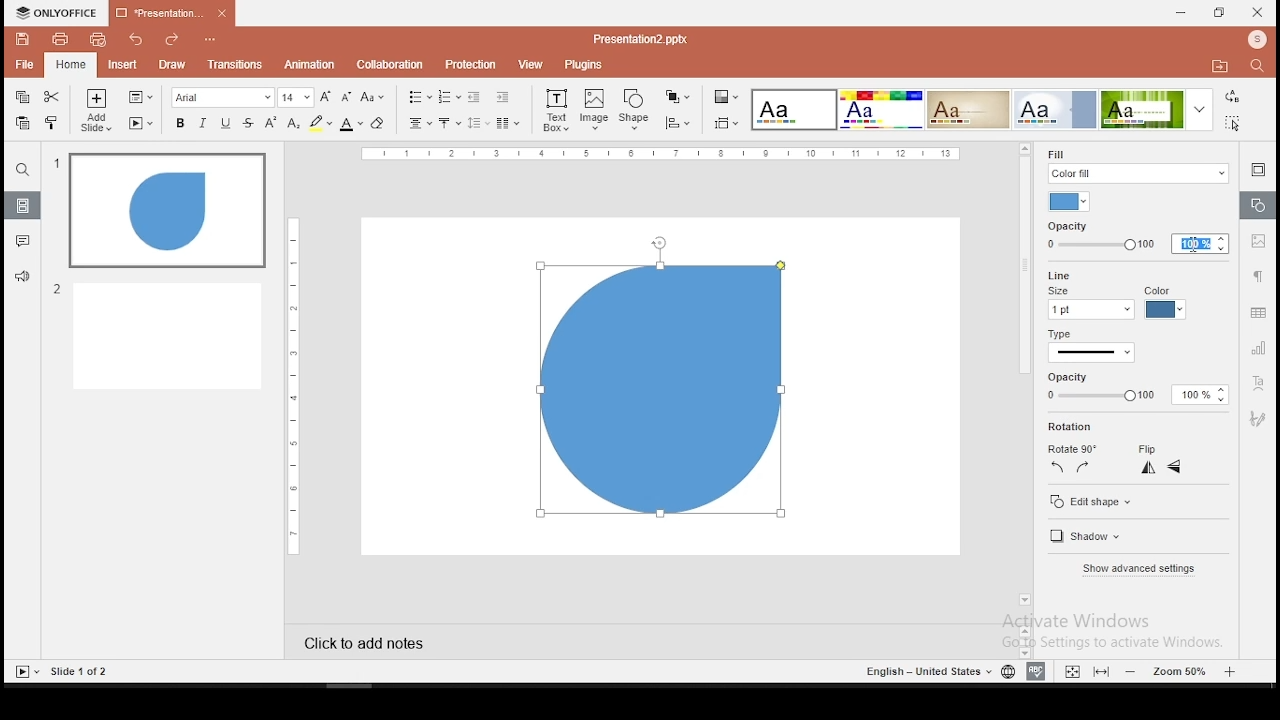 This screenshot has width=1280, height=720. What do you see at coordinates (556, 110) in the screenshot?
I see `text box` at bounding box center [556, 110].